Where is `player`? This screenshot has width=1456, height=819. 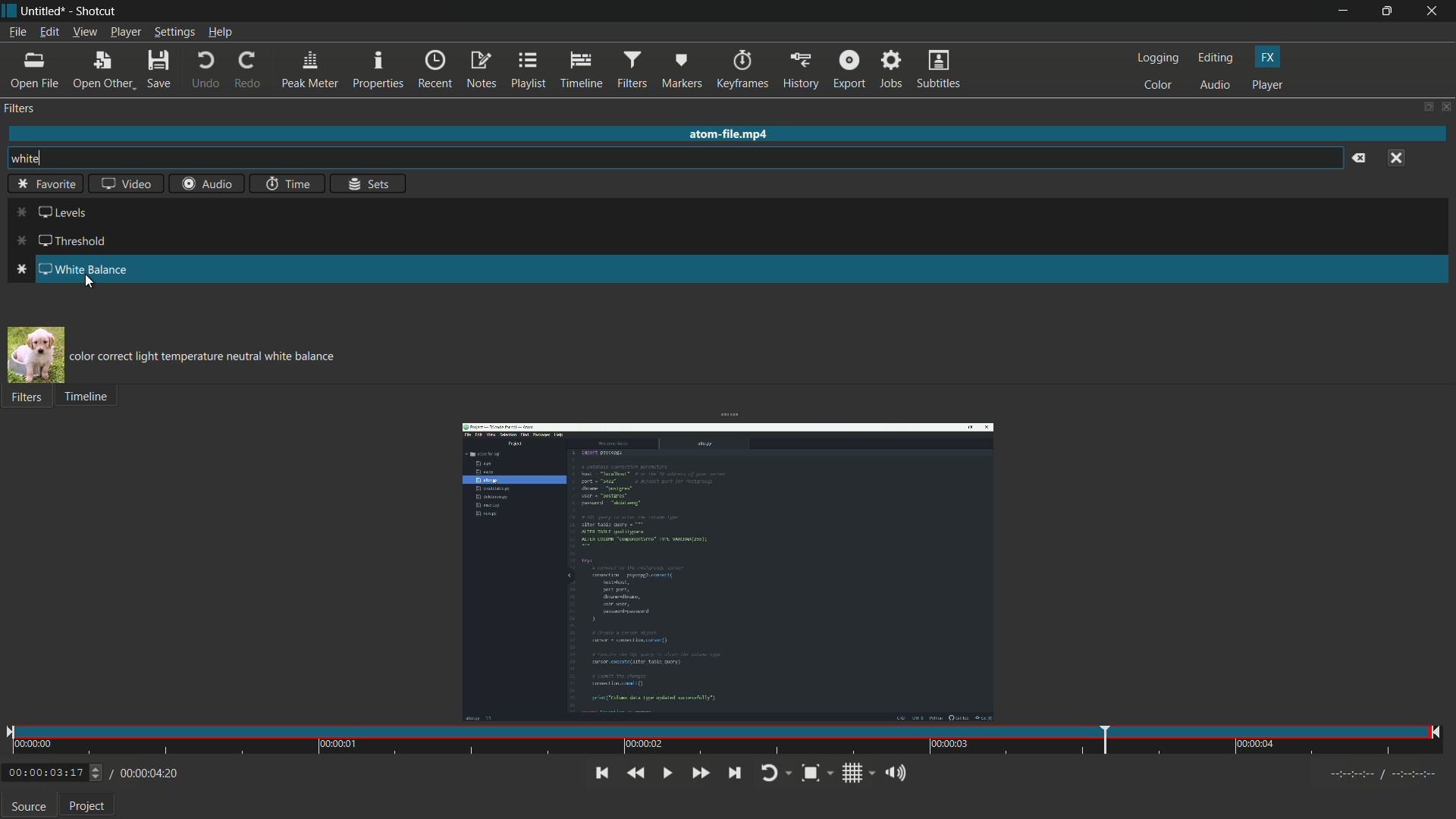
player is located at coordinates (1268, 86).